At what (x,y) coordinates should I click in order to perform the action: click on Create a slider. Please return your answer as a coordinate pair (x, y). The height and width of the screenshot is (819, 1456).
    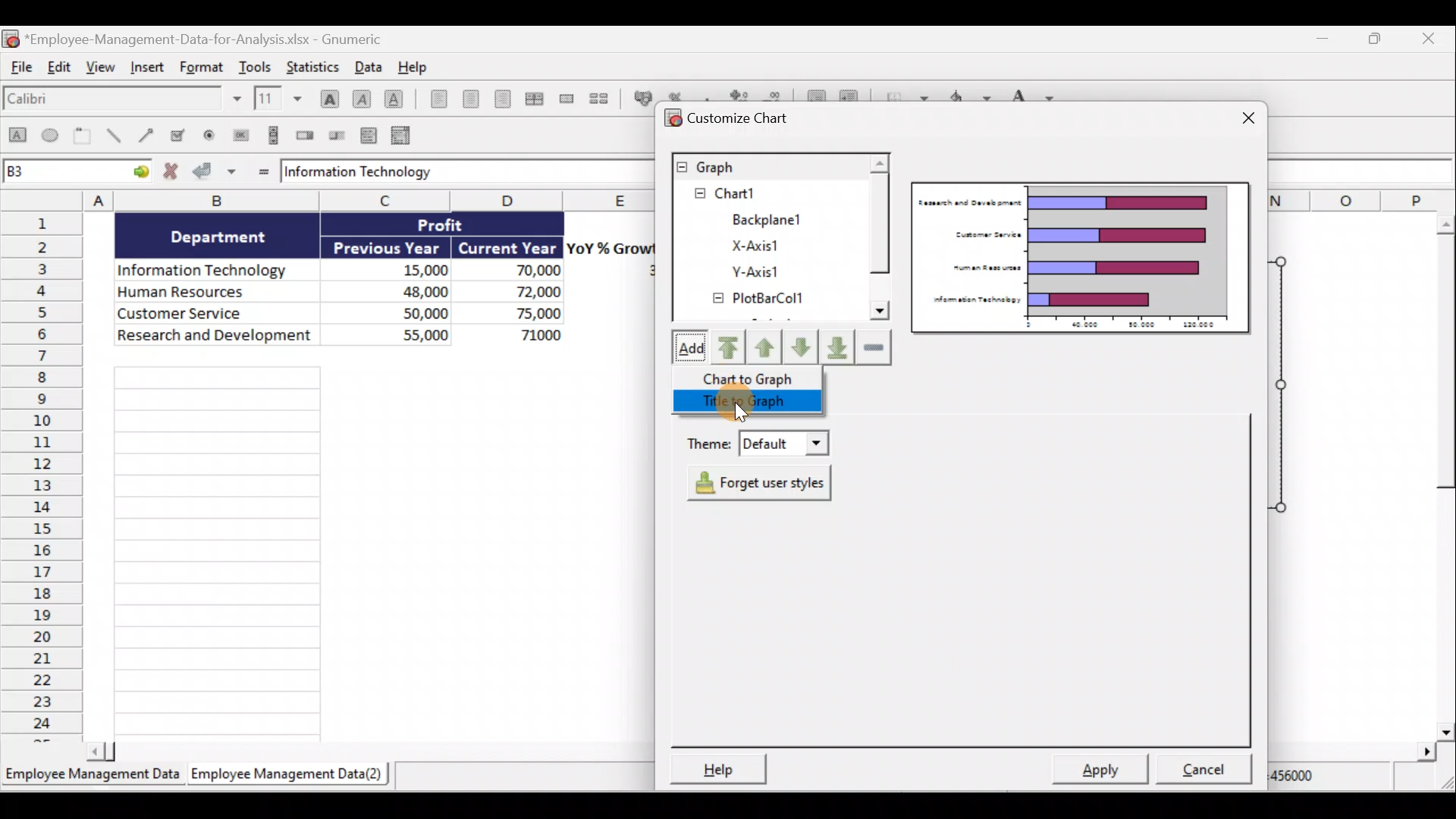
    Looking at the image, I should click on (338, 134).